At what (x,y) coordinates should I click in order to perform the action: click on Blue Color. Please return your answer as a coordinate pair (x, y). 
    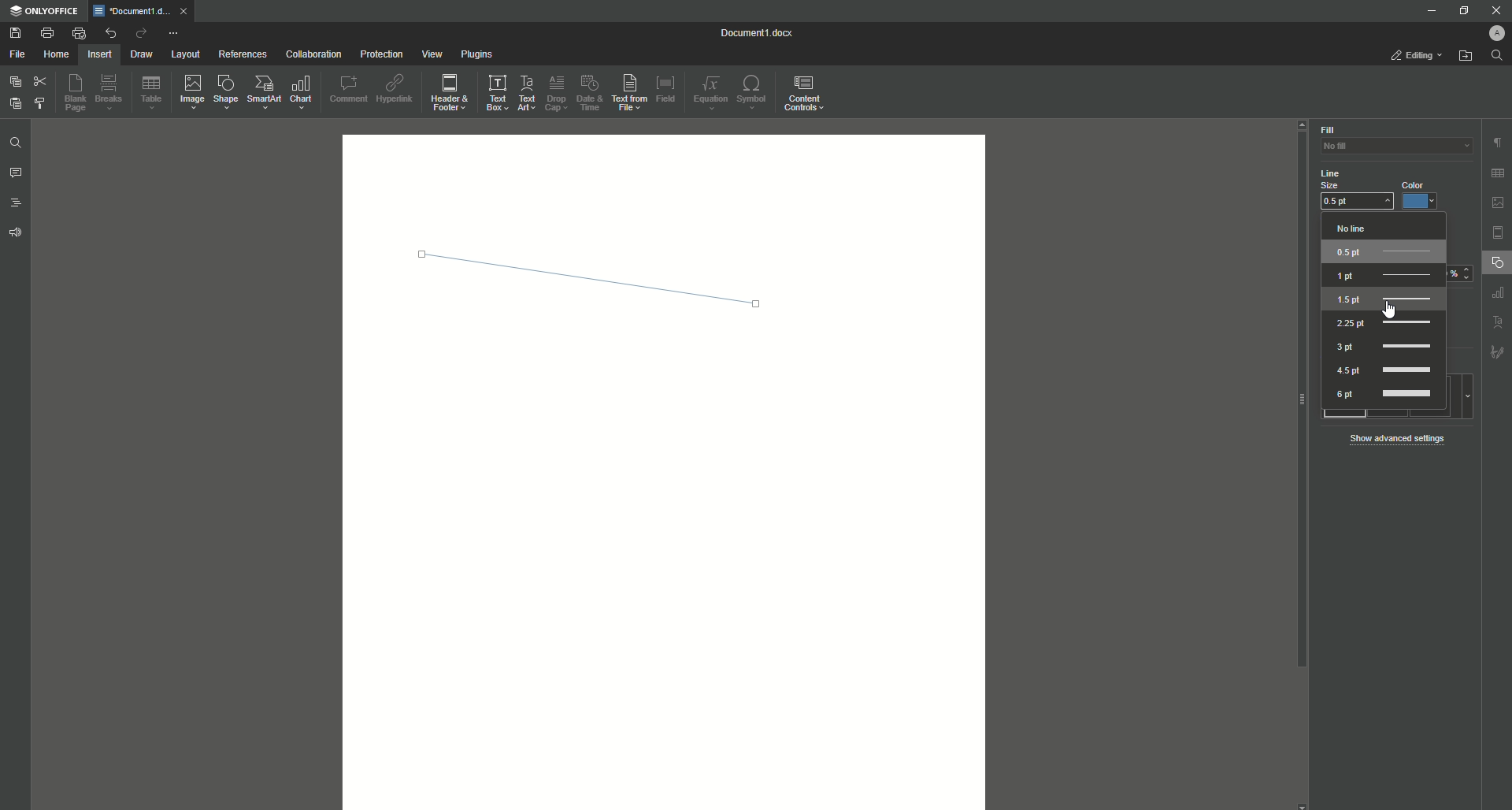
    Looking at the image, I should click on (1423, 196).